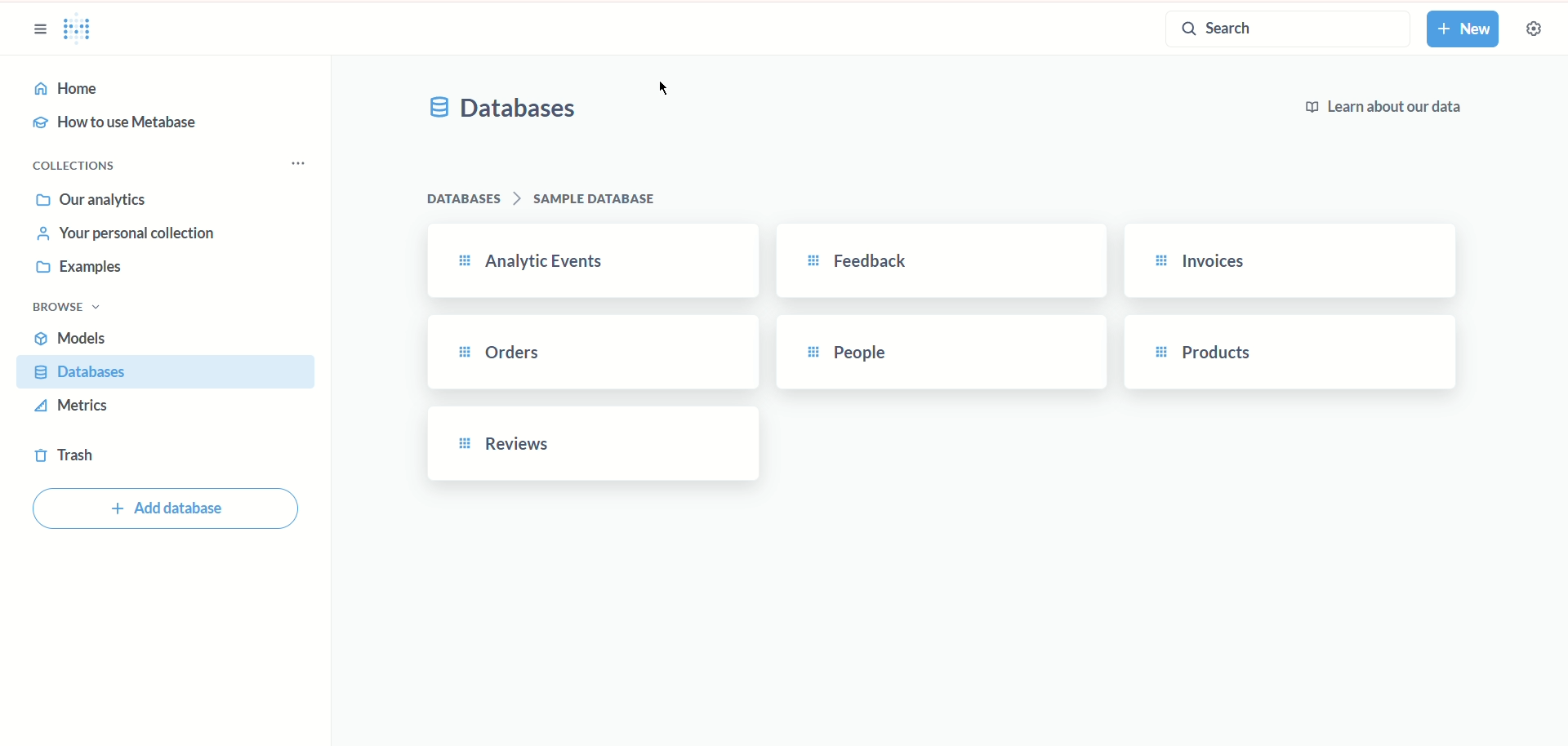  What do you see at coordinates (165, 371) in the screenshot?
I see `database` at bounding box center [165, 371].